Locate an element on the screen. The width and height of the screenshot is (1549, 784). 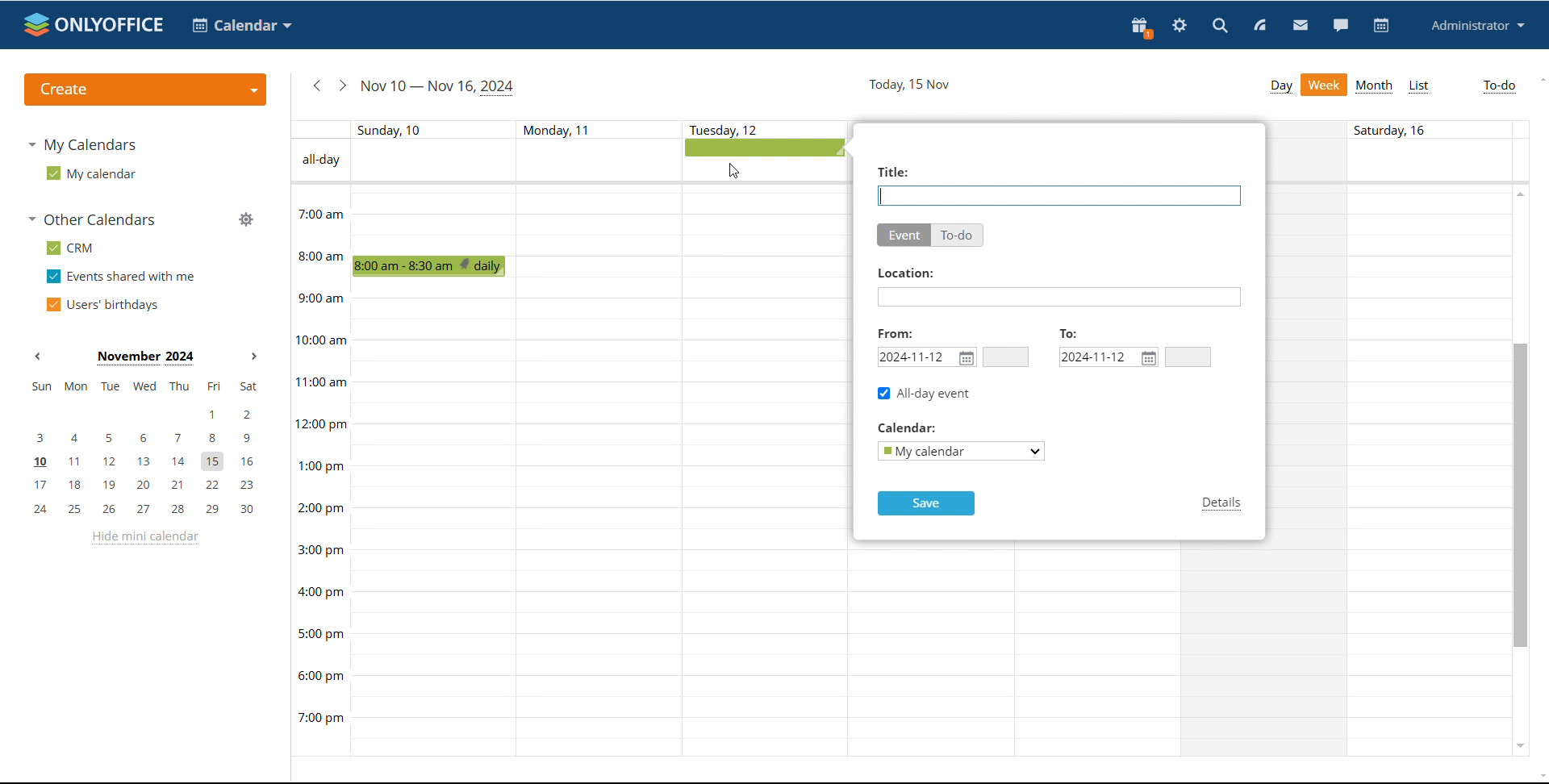
scheduled event is located at coordinates (433, 266).